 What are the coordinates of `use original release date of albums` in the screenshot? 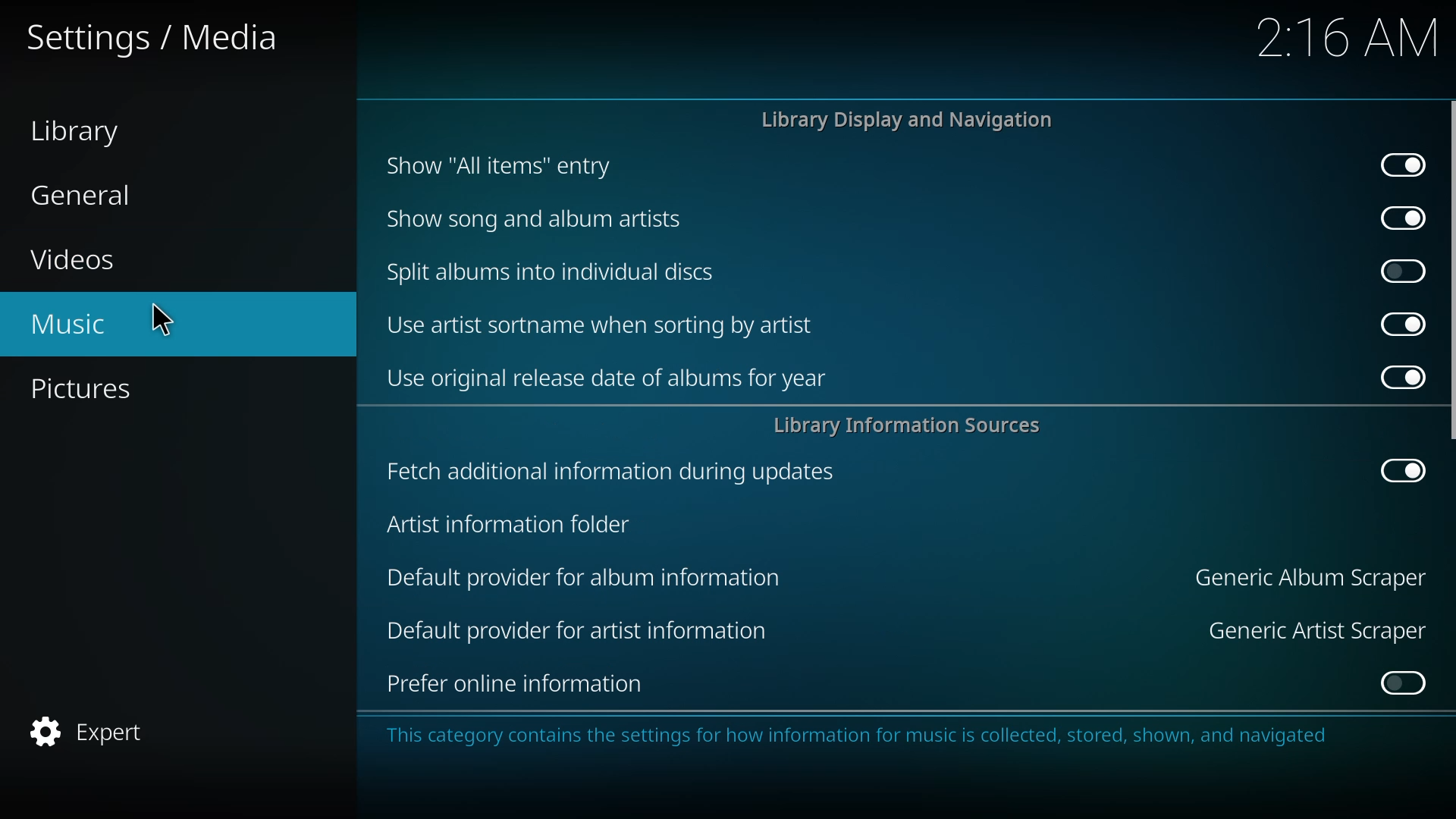 It's located at (607, 377).